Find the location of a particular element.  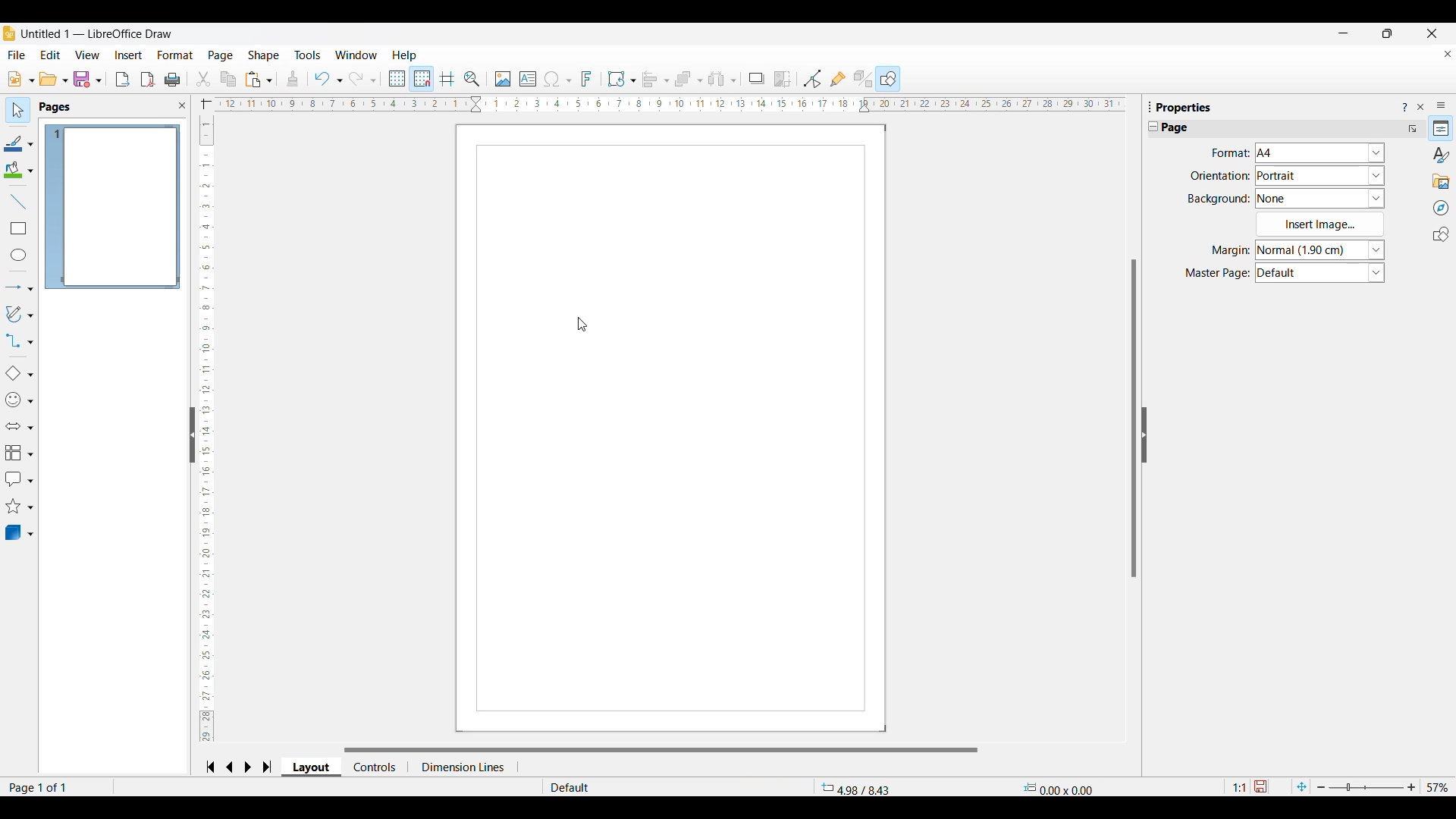

Edit menu is located at coordinates (51, 55).